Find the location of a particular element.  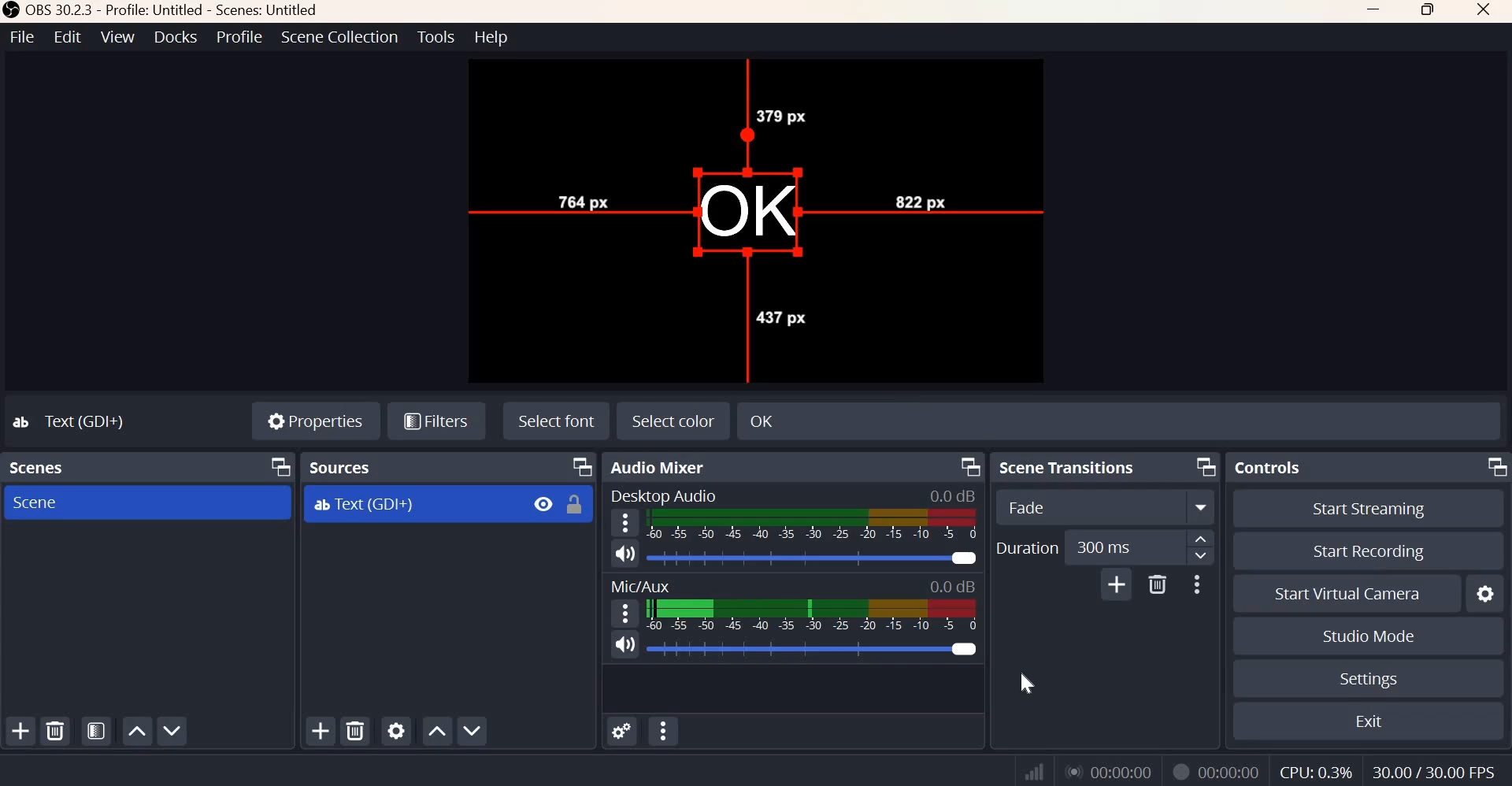

Dock Options icon is located at coordinates (971, 467).